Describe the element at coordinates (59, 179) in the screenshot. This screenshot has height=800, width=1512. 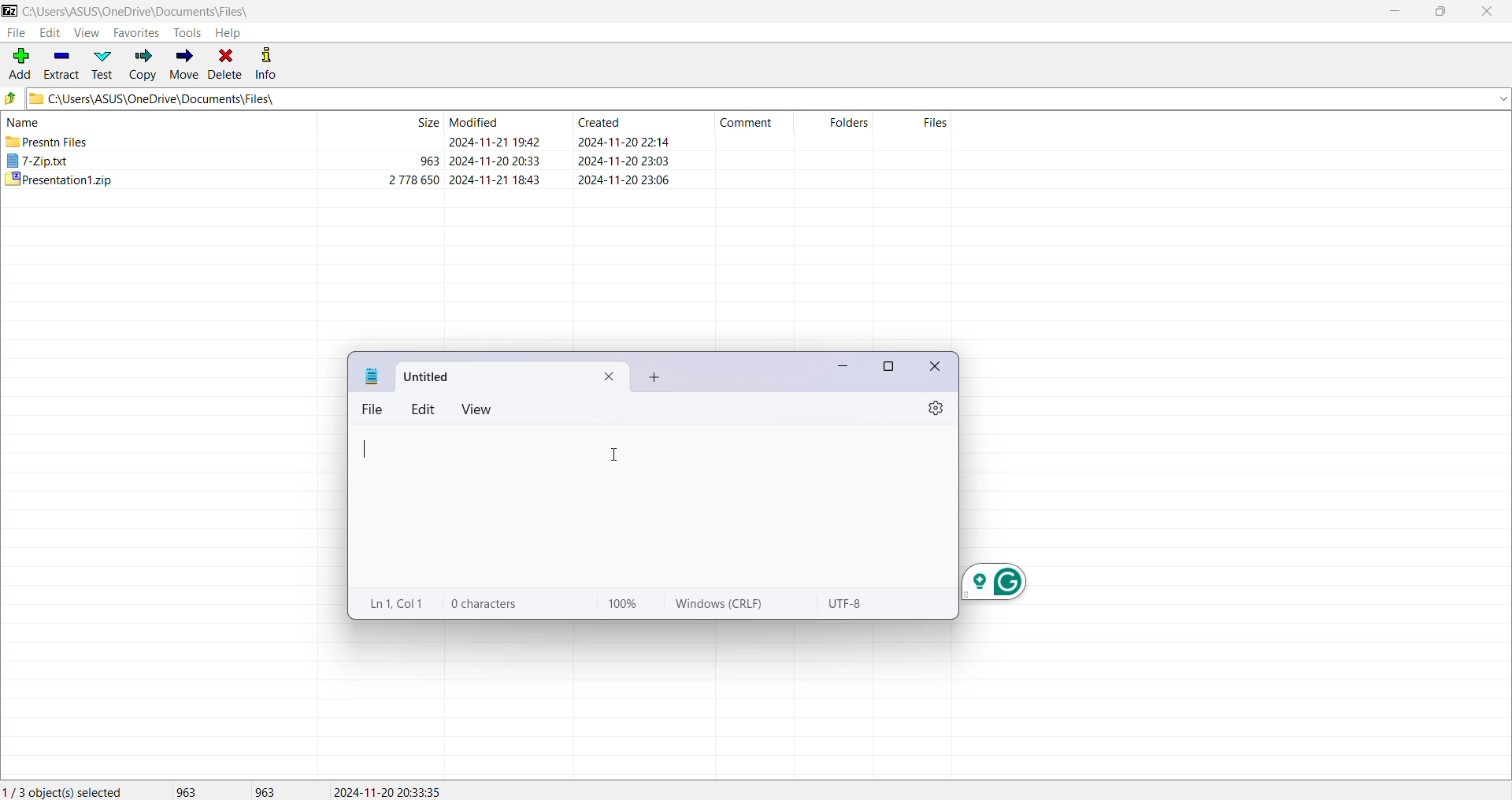
I see `presentation1.zip` at that location.